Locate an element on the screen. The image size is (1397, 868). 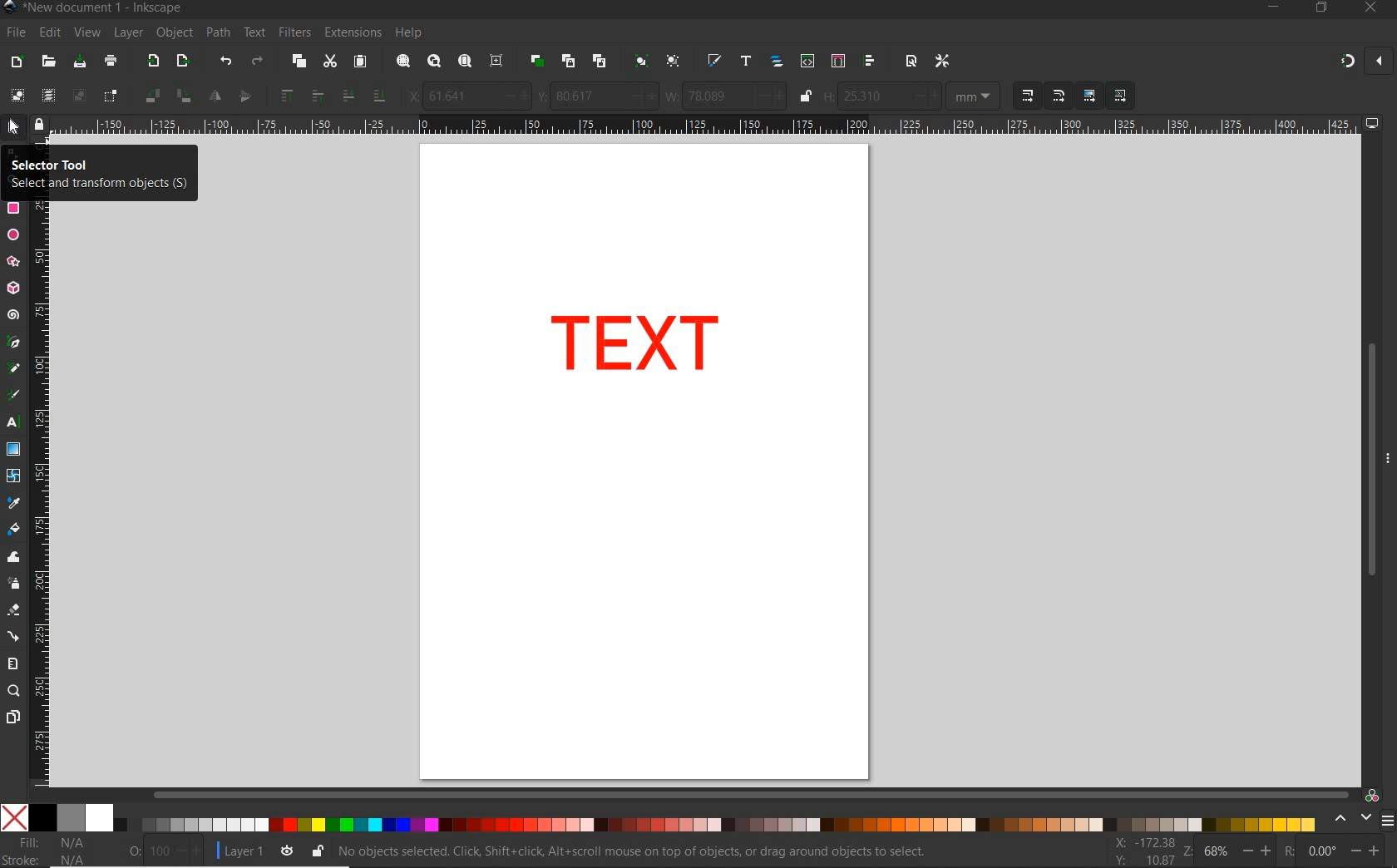
file is located at coordinates (14, 32).